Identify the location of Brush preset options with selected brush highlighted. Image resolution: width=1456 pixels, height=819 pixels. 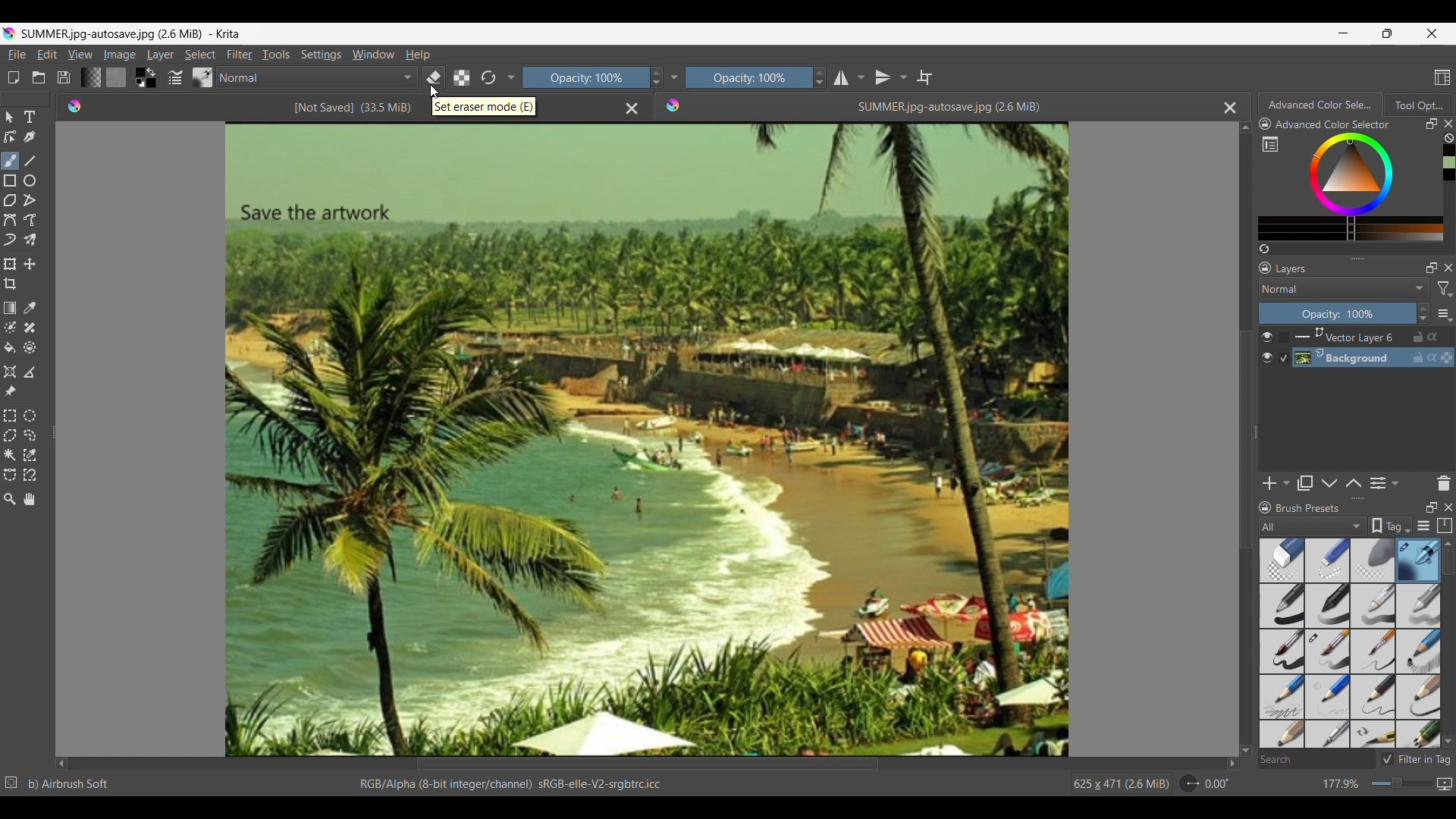
(1351, 644).